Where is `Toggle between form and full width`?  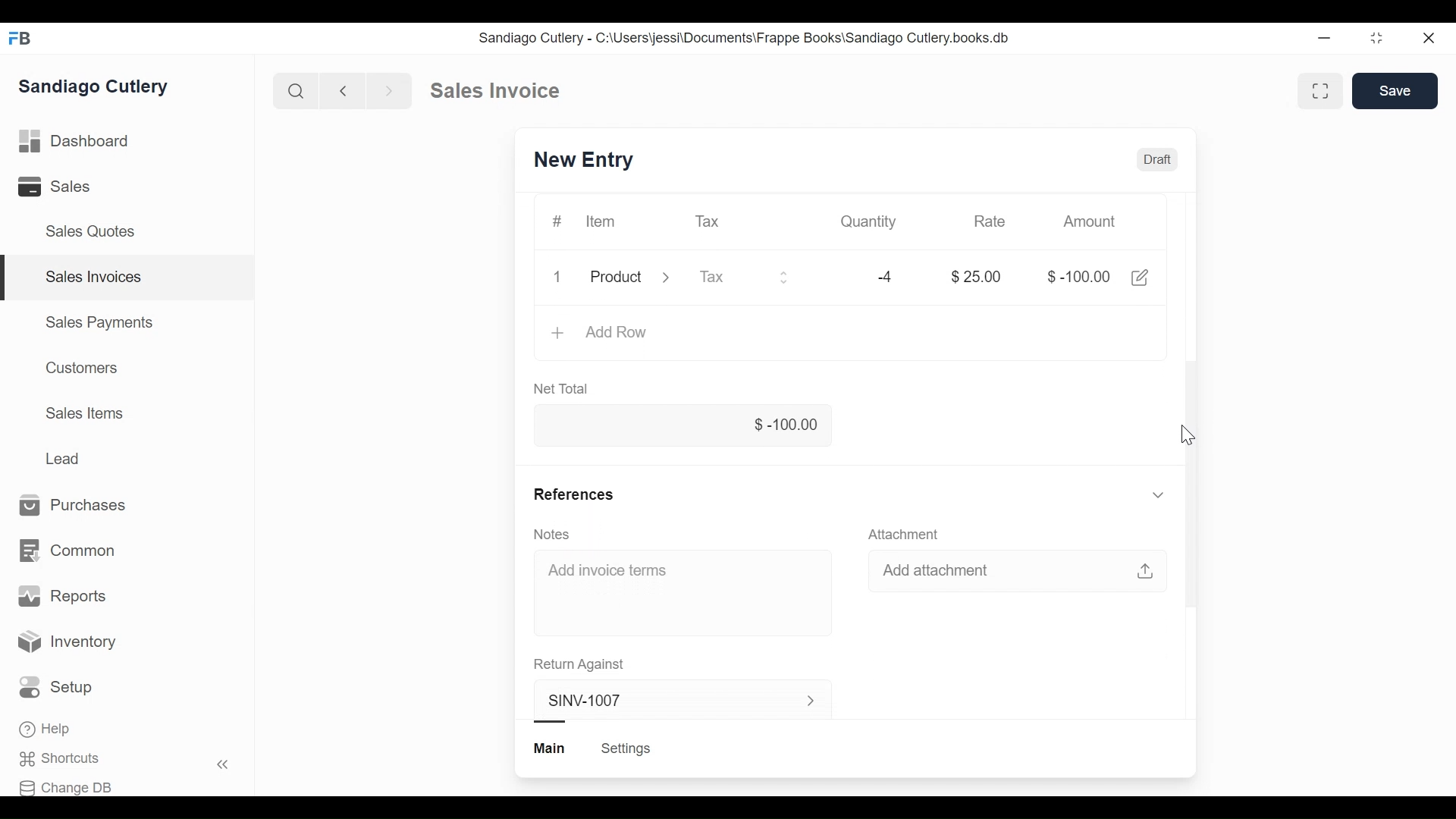 Toggle between form and full width is located at coordinates (1377, 39).